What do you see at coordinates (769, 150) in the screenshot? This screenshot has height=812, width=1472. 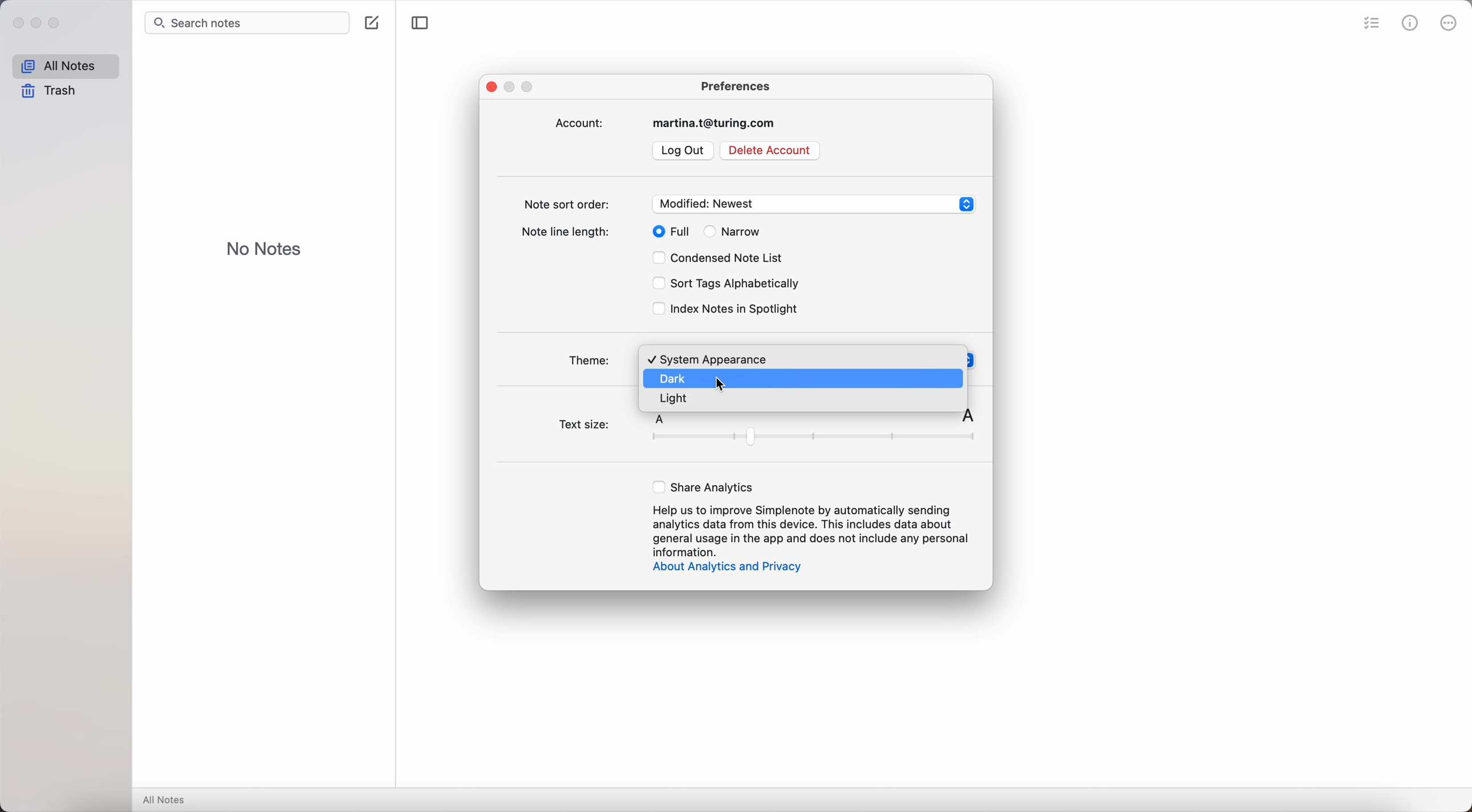 I see `delete account` at bounding box center [769, 150].